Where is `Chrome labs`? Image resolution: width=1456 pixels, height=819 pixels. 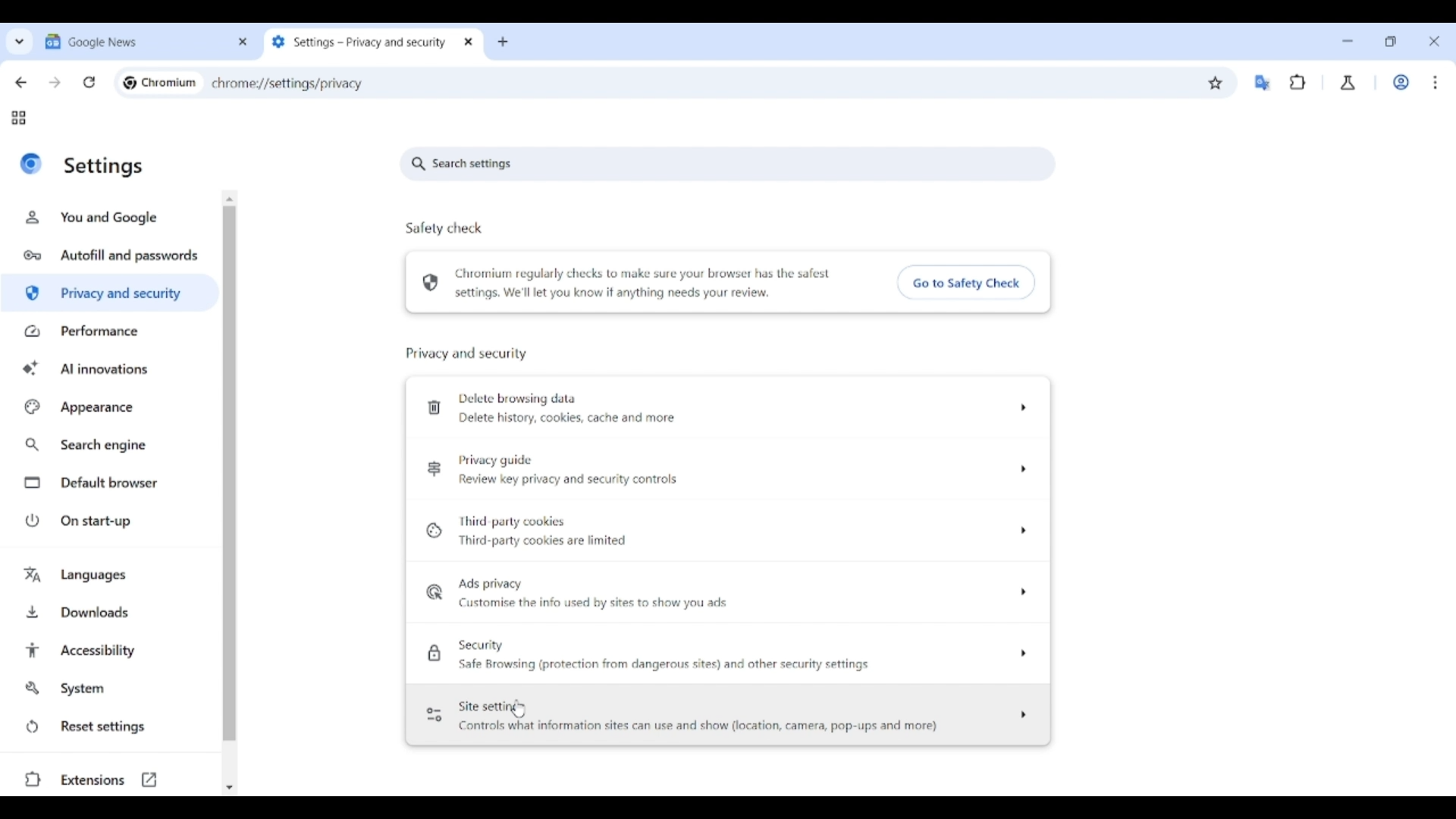 Chrome labs is located at coordinates (1348, 83).